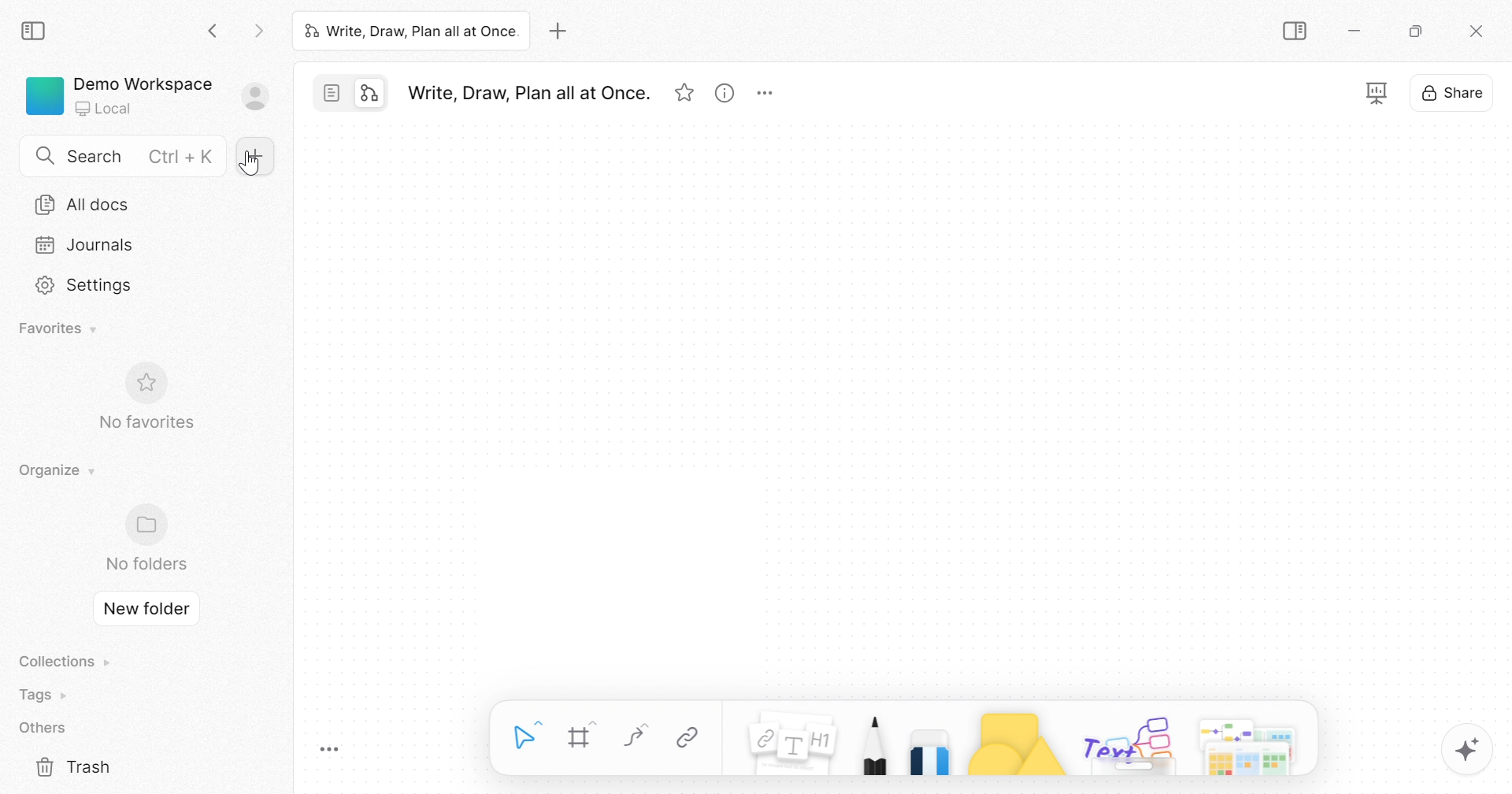 Image resolution: width=1512 pixels, height=794 pixels. I want to click on Folder icon, so click(146, 526).